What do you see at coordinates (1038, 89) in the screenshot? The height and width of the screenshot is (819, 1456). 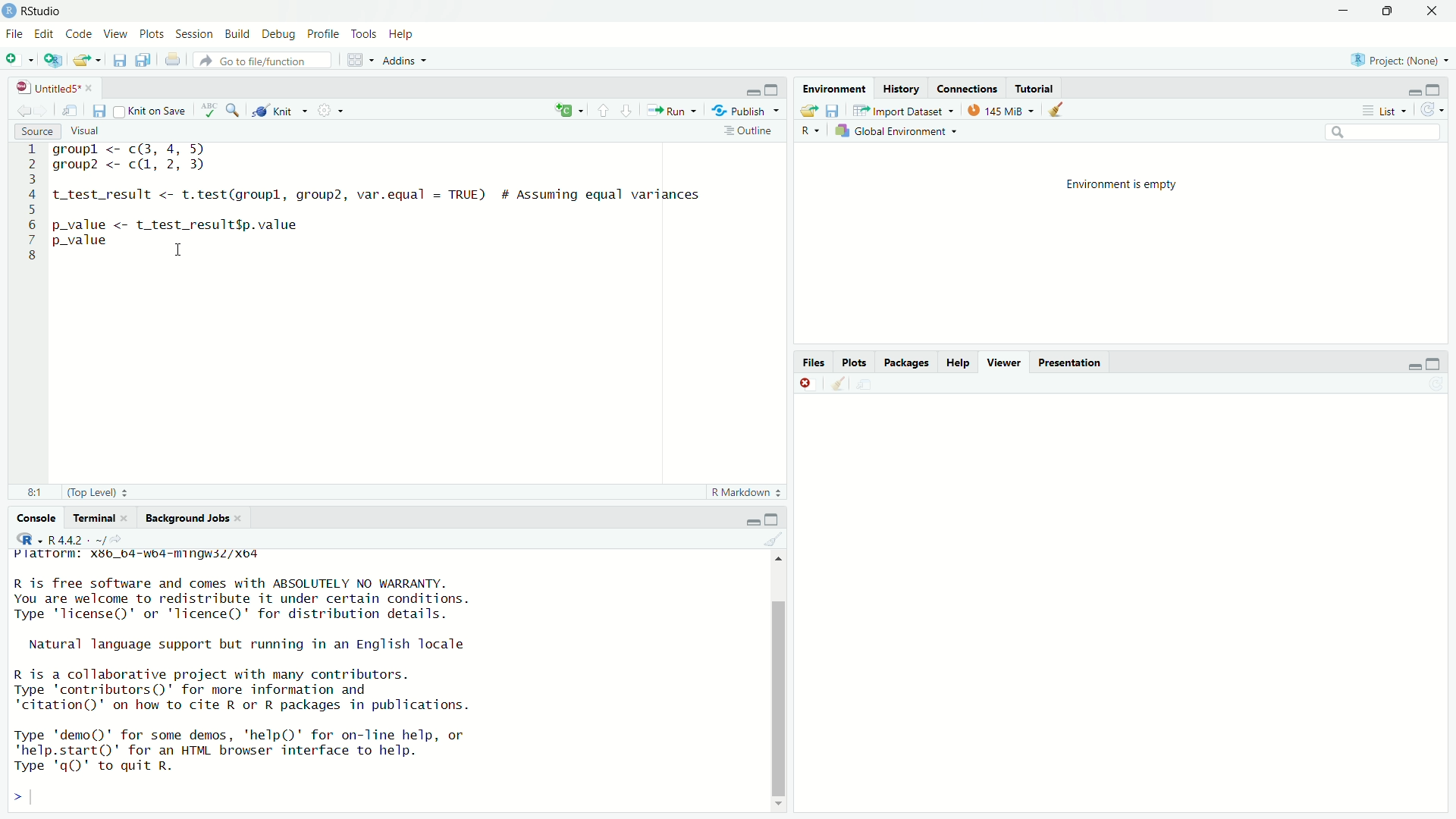 I see `Tutorial` at bounding box center [1038, 89].